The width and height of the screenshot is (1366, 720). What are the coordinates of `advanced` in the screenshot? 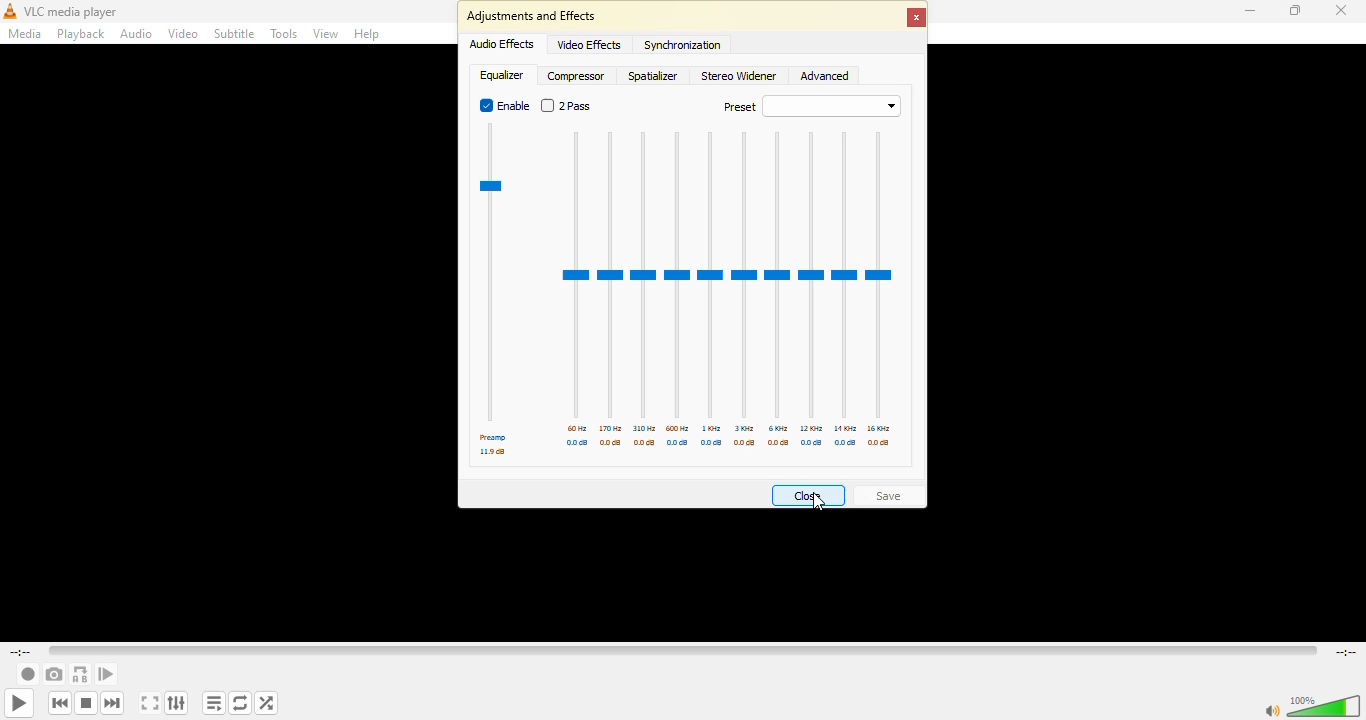 It's located at (829, 77).